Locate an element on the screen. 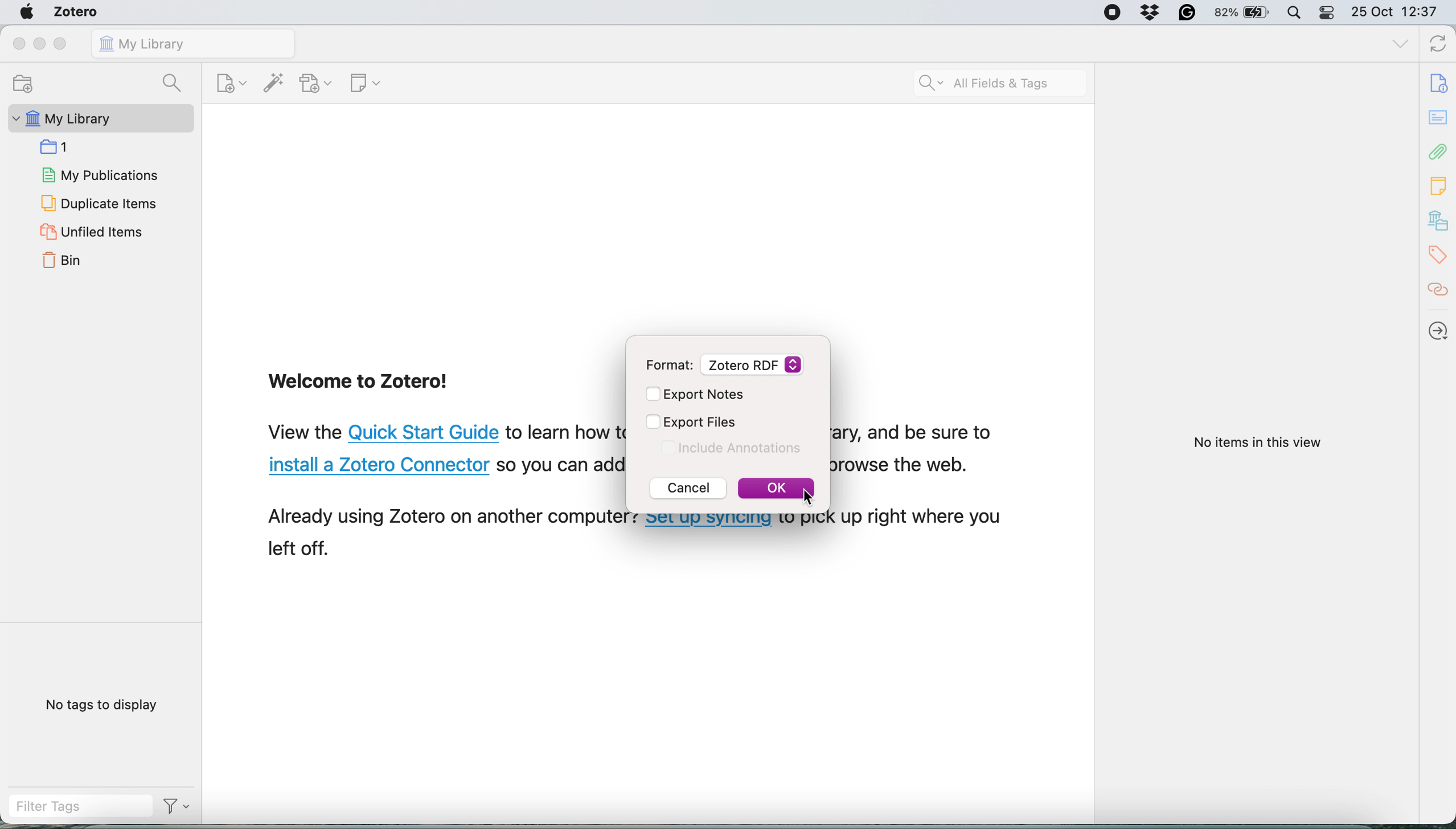  new collection is located at coordinates (19, 85).